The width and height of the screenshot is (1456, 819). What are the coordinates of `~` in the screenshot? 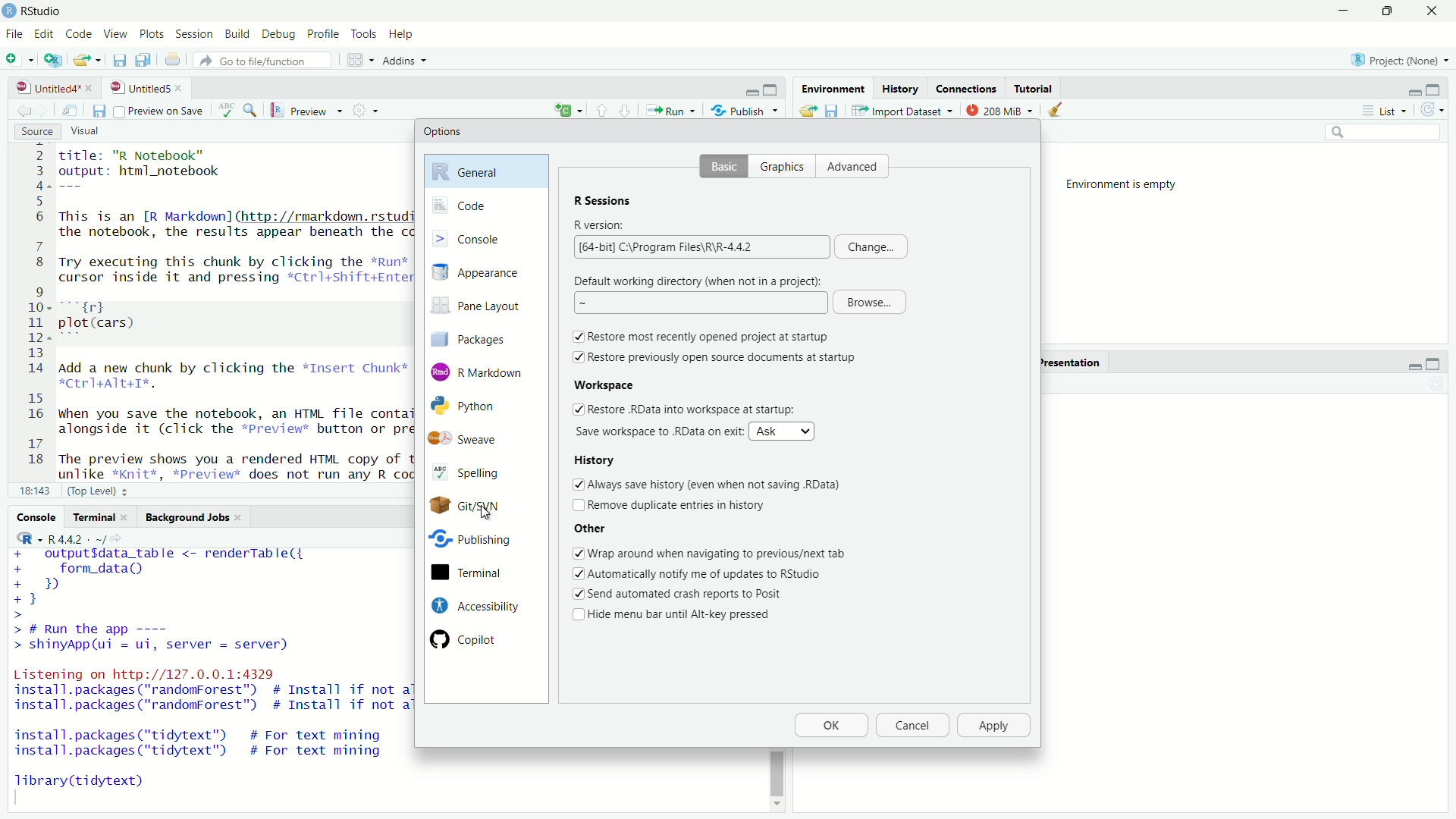 It's located at (698, 303).